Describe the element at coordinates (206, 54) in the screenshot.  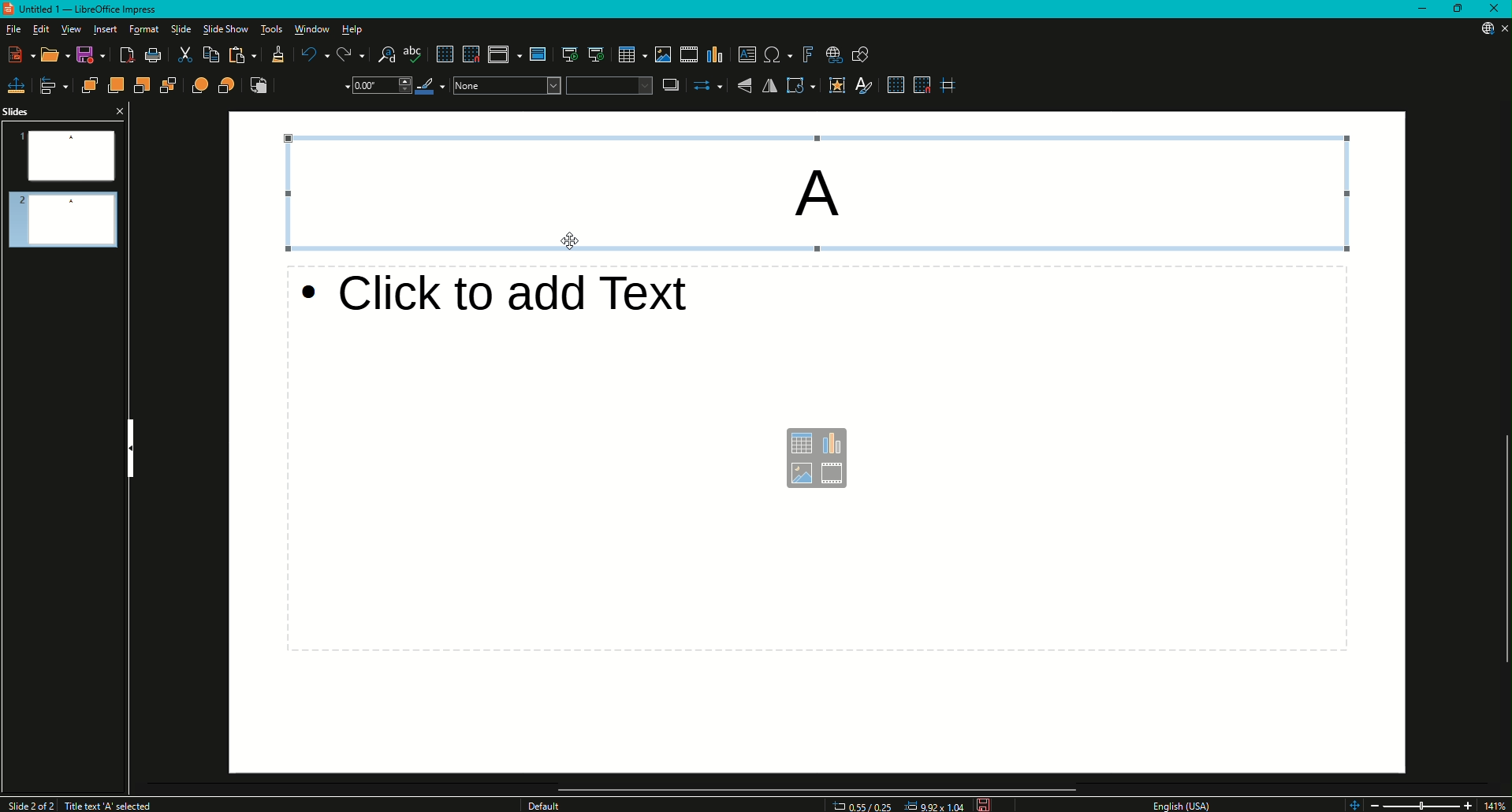
I see `Copy` at that location.